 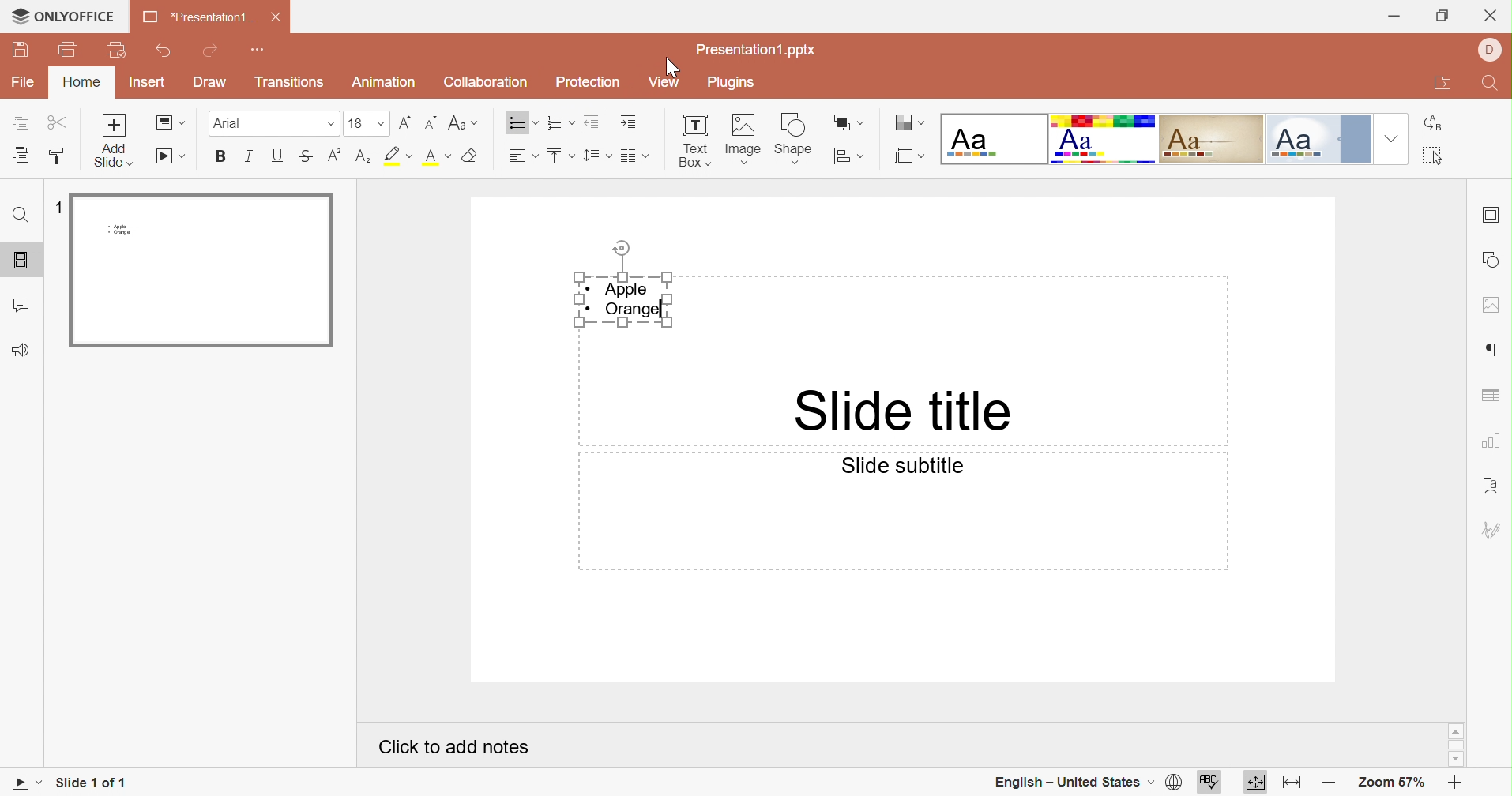 What do you see at coordinates (671, 69) in the screenshot?
I see `Cursor` at bounding box center [671, 69].